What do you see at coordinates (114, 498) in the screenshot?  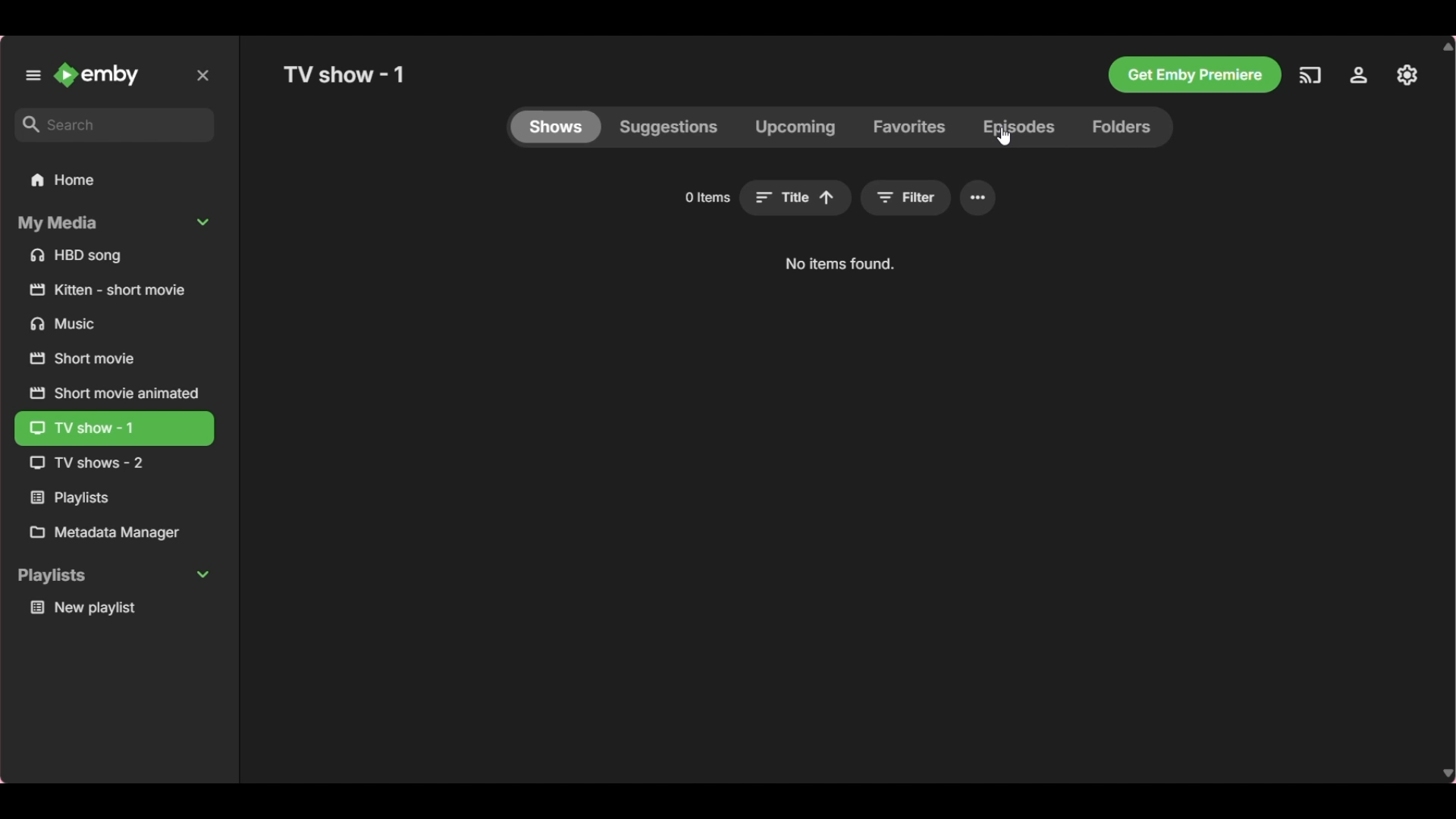 I see `Playlists` at bounding box center [114, 498].